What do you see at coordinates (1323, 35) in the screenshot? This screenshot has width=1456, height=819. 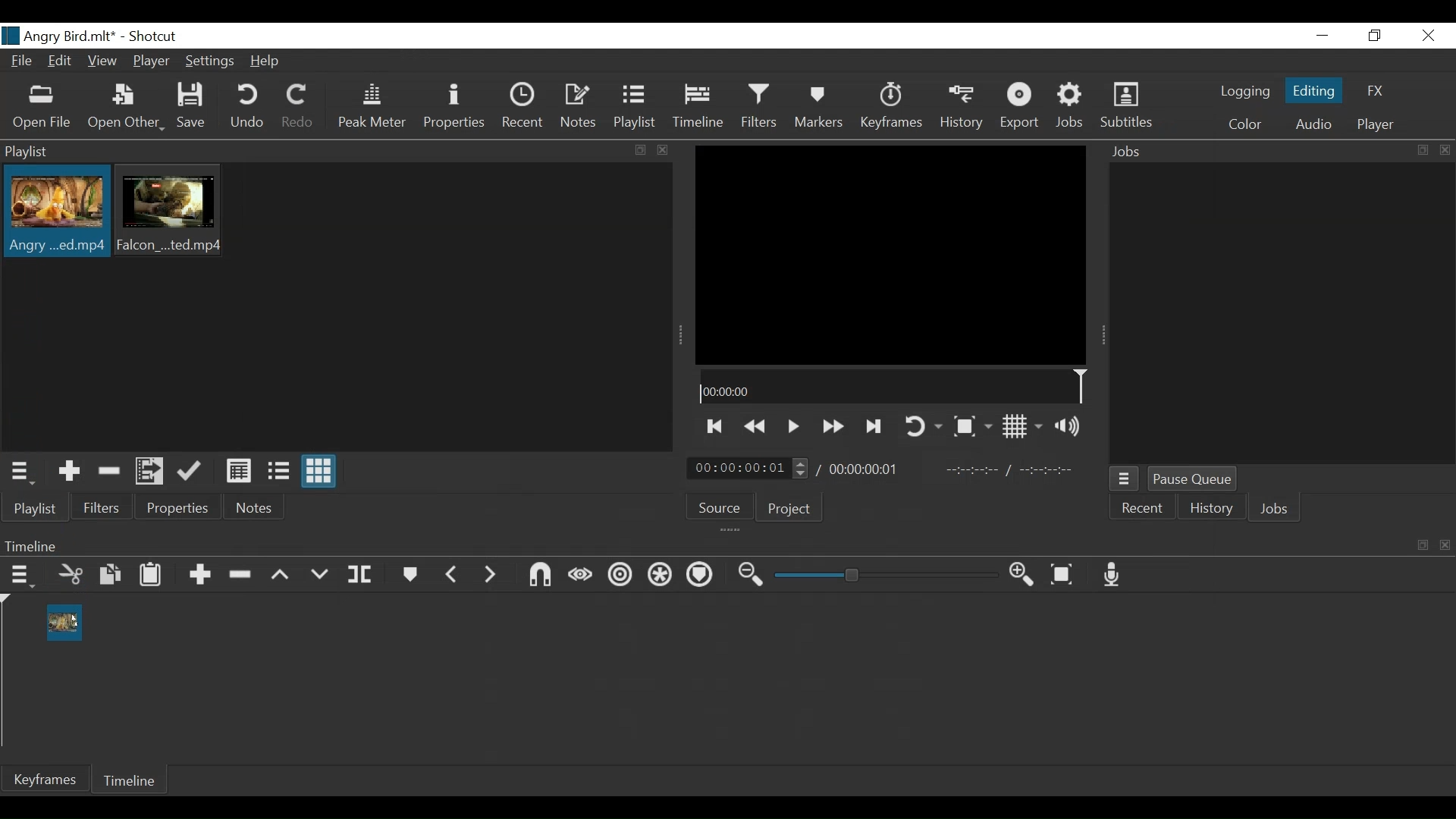 I see `Minimize` at bounding box center [1323, 35].